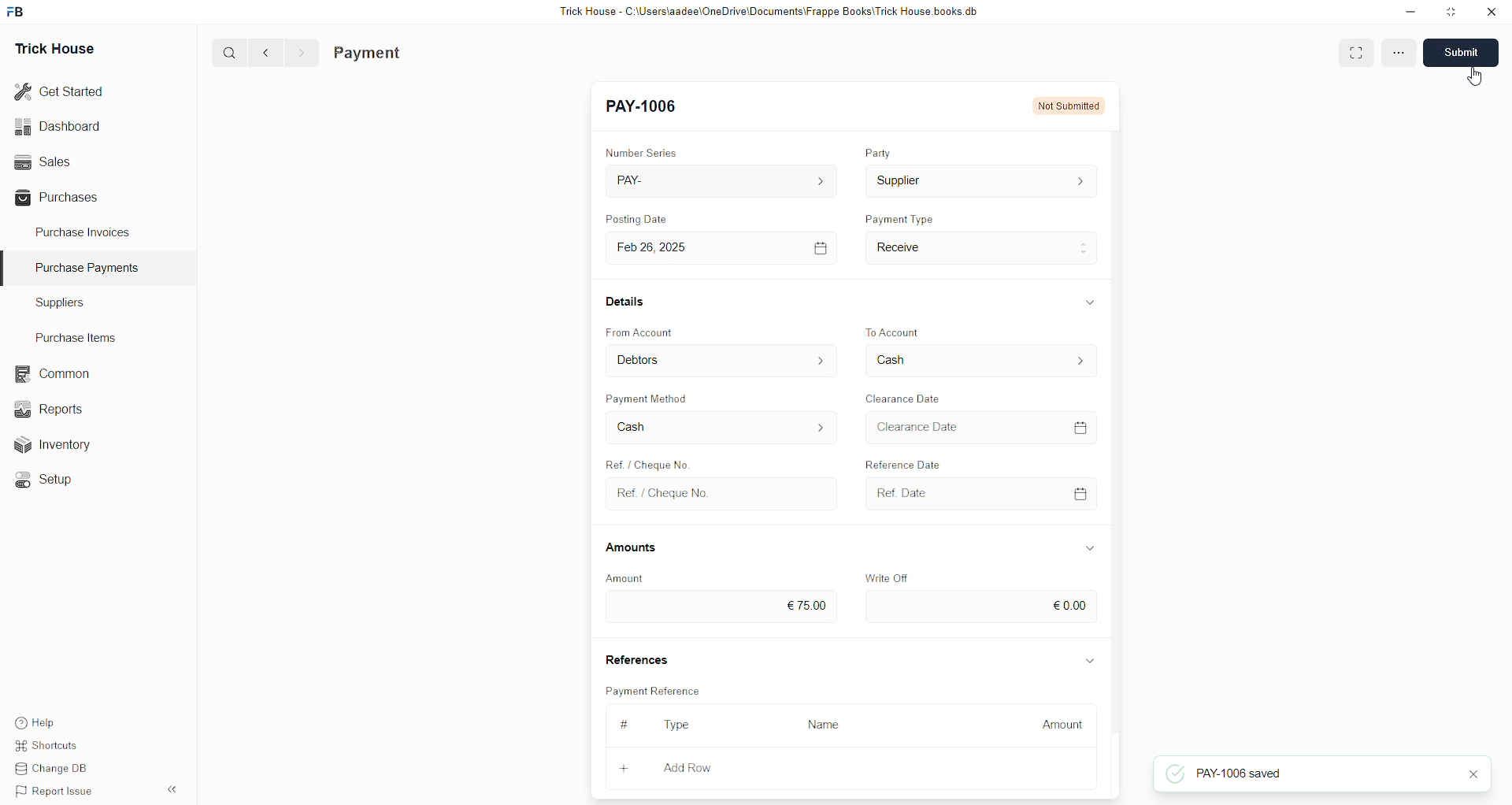  I want to click on Feb 26, 2025 , so click(719, 247).